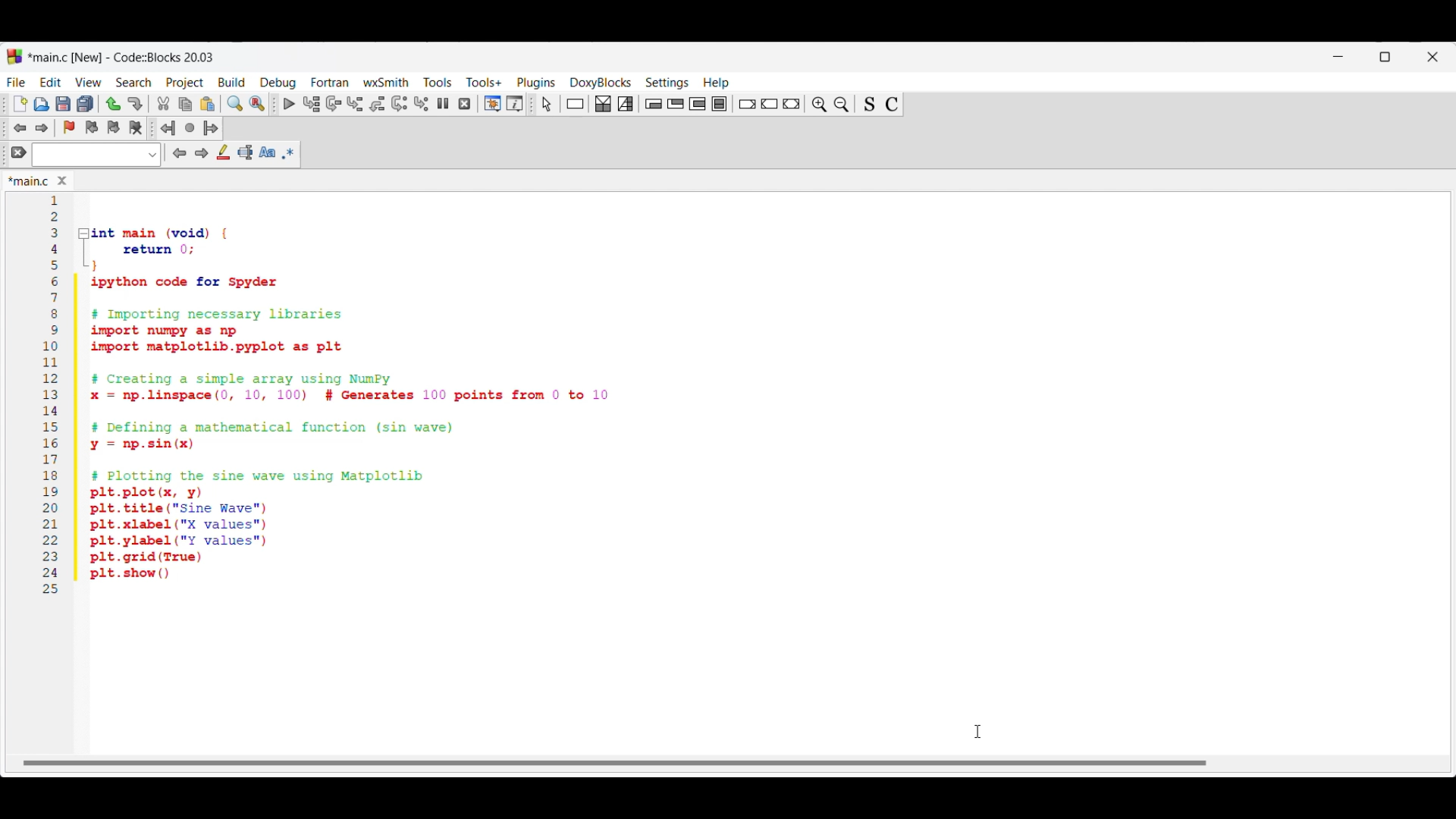  Describe the element at coordinates (791, 104) in the screenshot. I see `Return instruction` at that location.